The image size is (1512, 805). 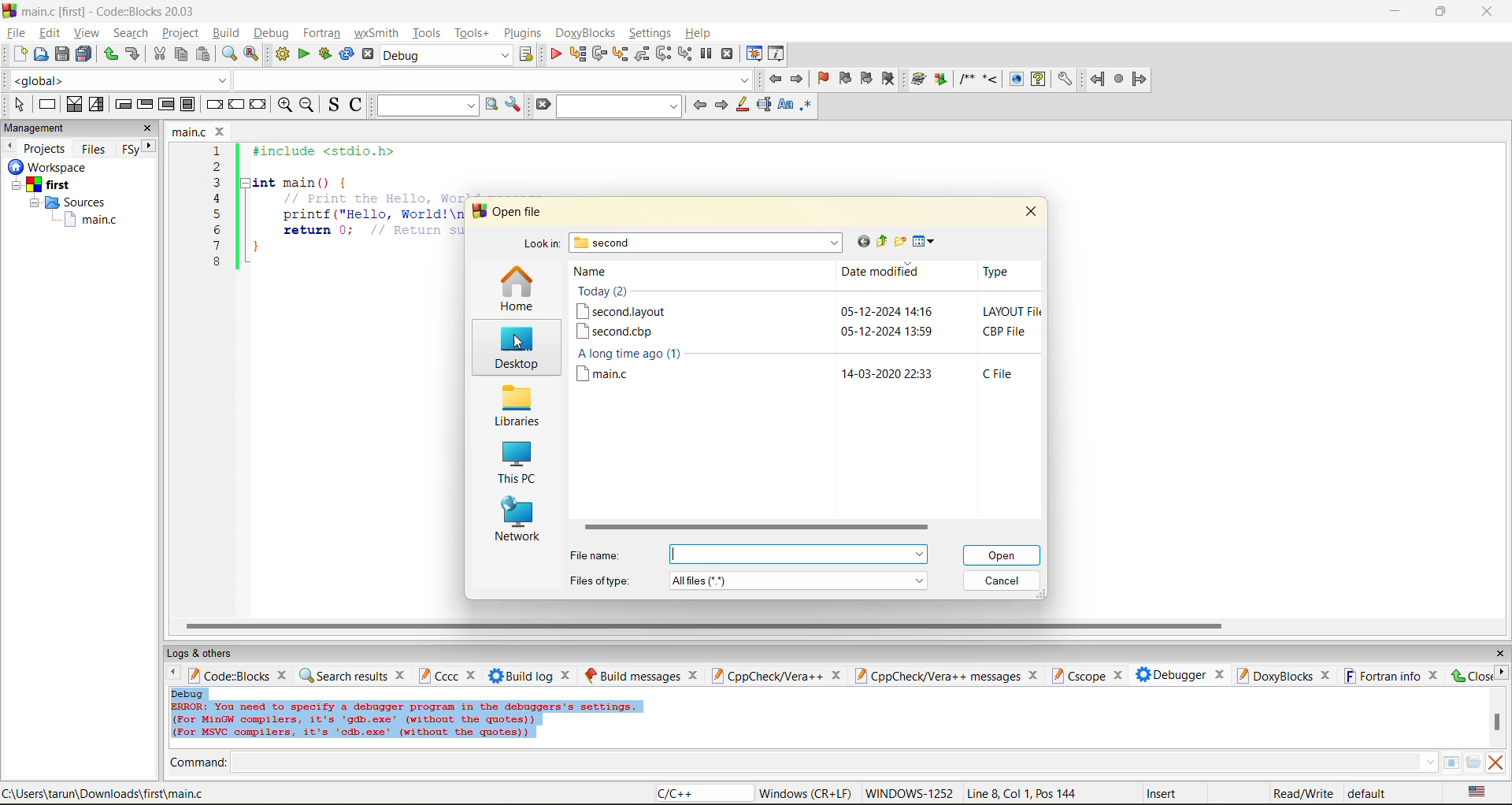 I want to click on network, so click(x=518, y=521).